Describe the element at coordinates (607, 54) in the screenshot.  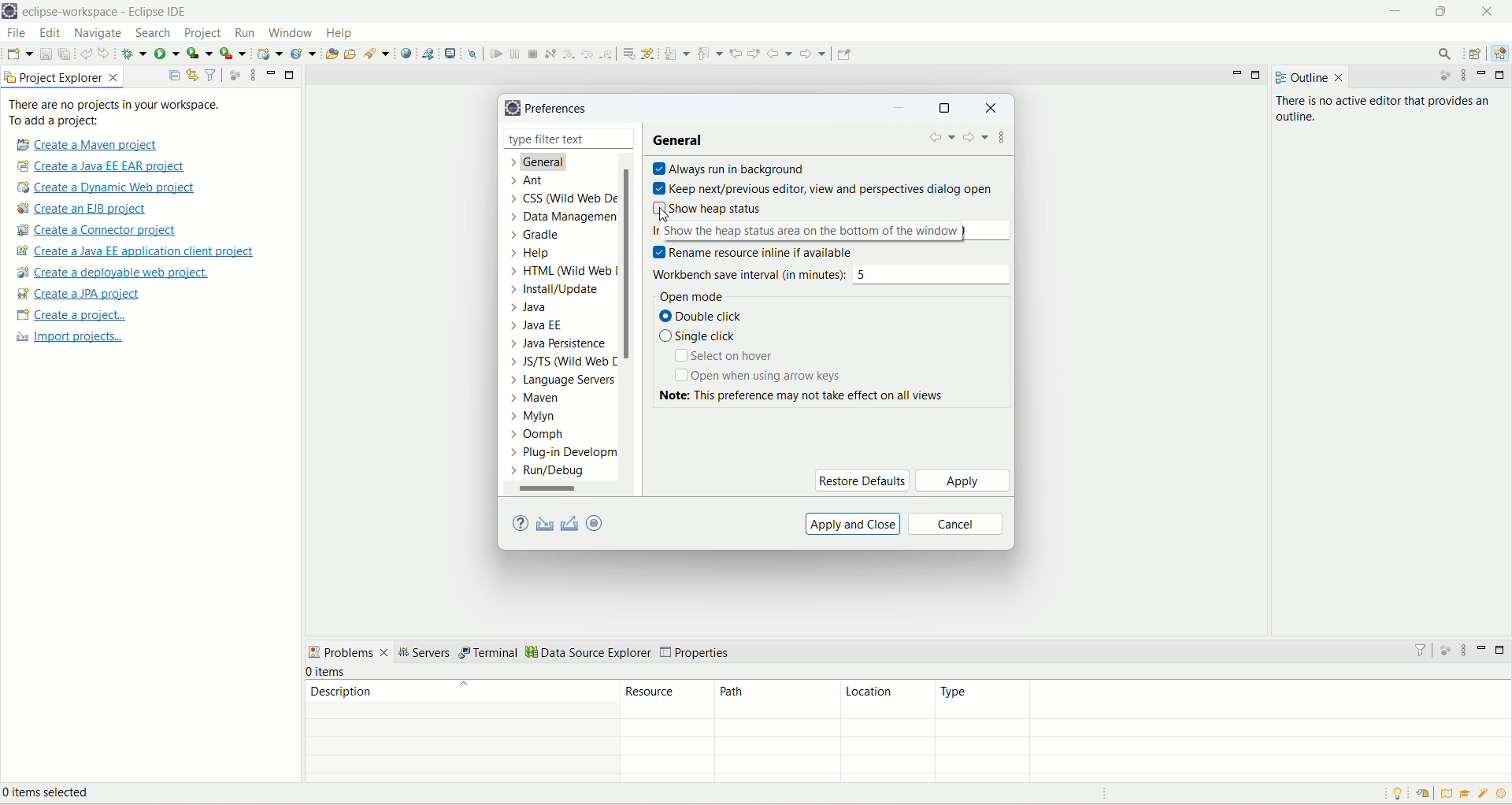
I see `step return` at that location.